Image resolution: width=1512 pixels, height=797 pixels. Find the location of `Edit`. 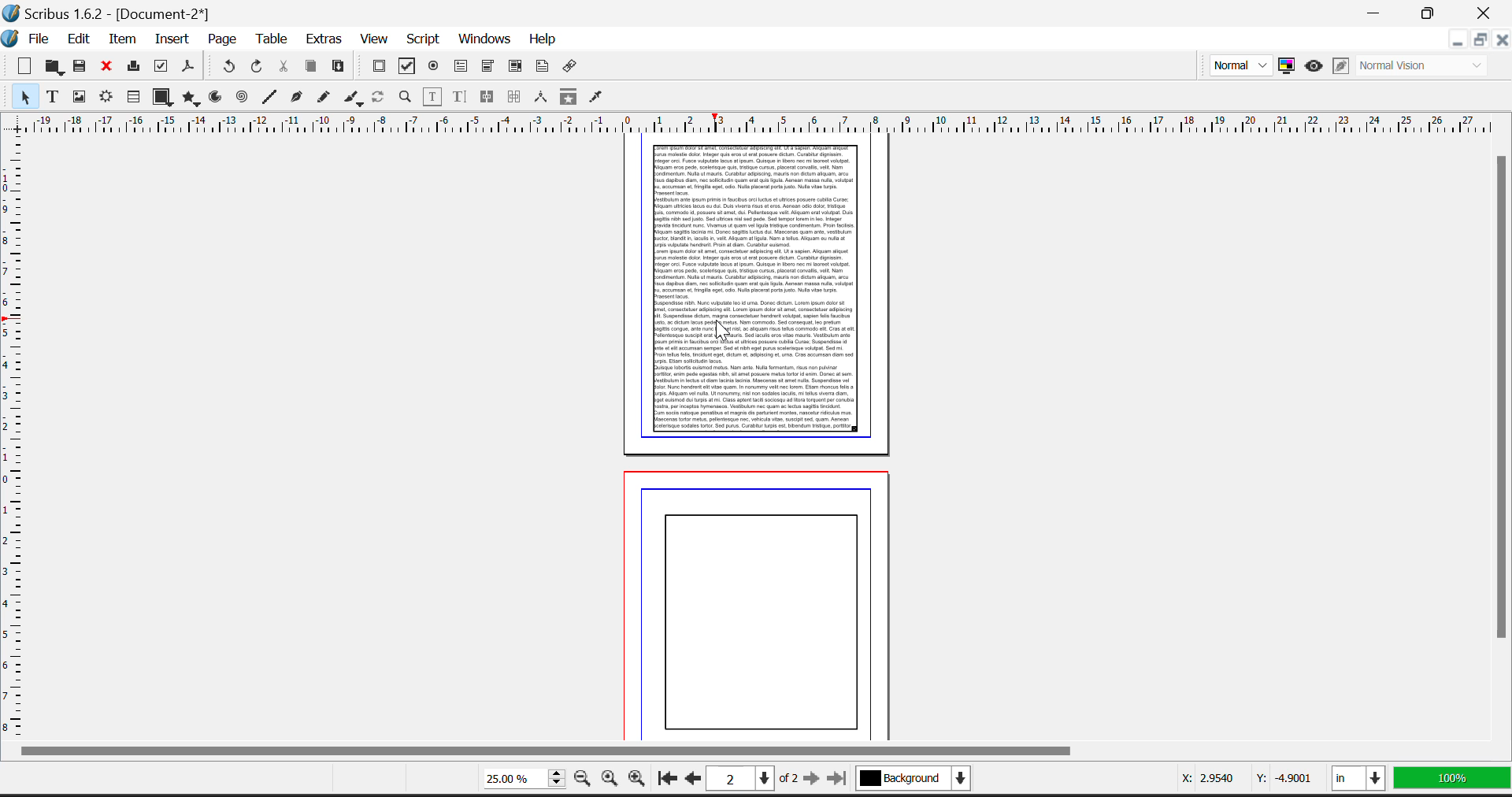

Edit is located at coordinates (79, 39).